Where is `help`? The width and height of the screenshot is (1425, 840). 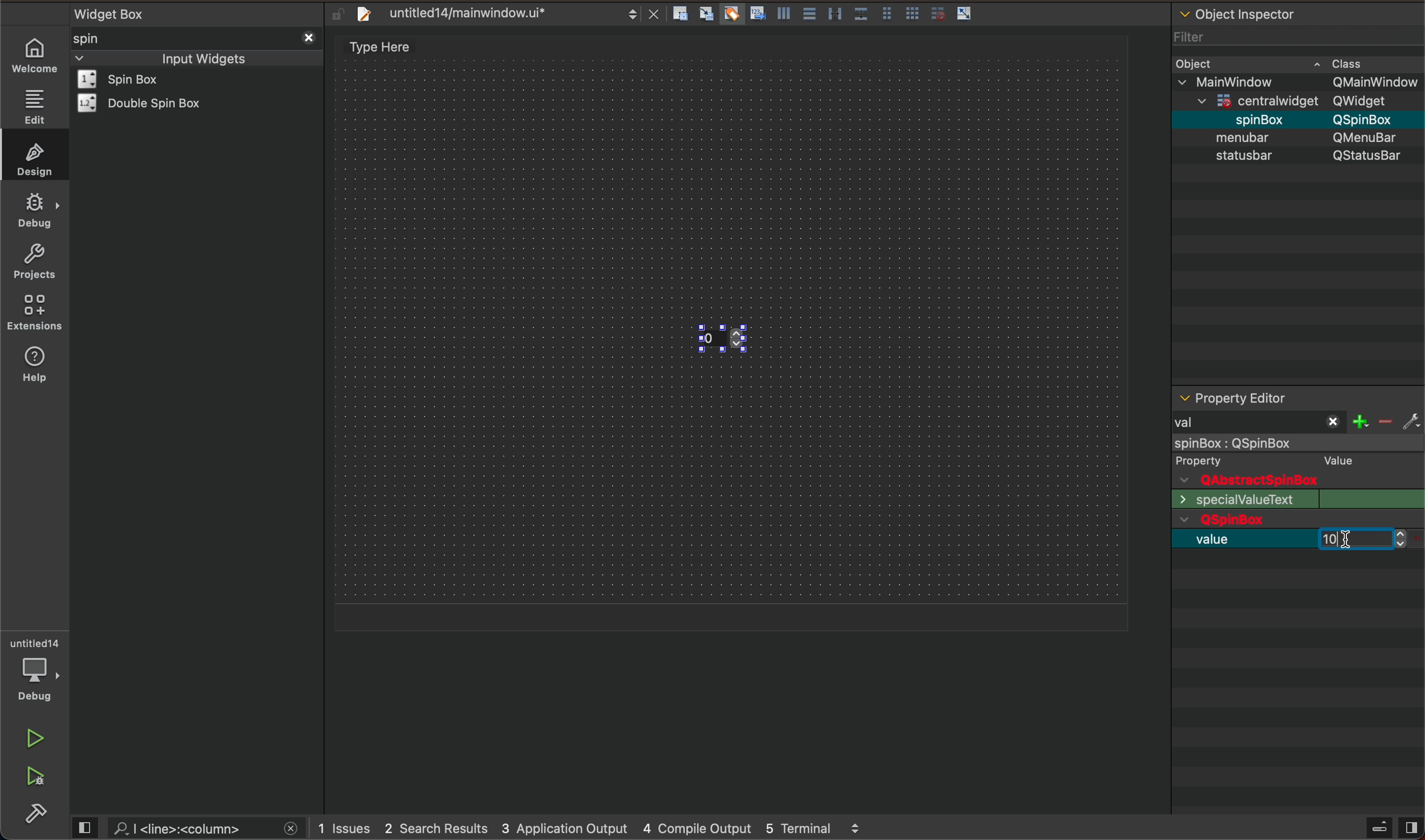 help is located at coordinates (40, 371).